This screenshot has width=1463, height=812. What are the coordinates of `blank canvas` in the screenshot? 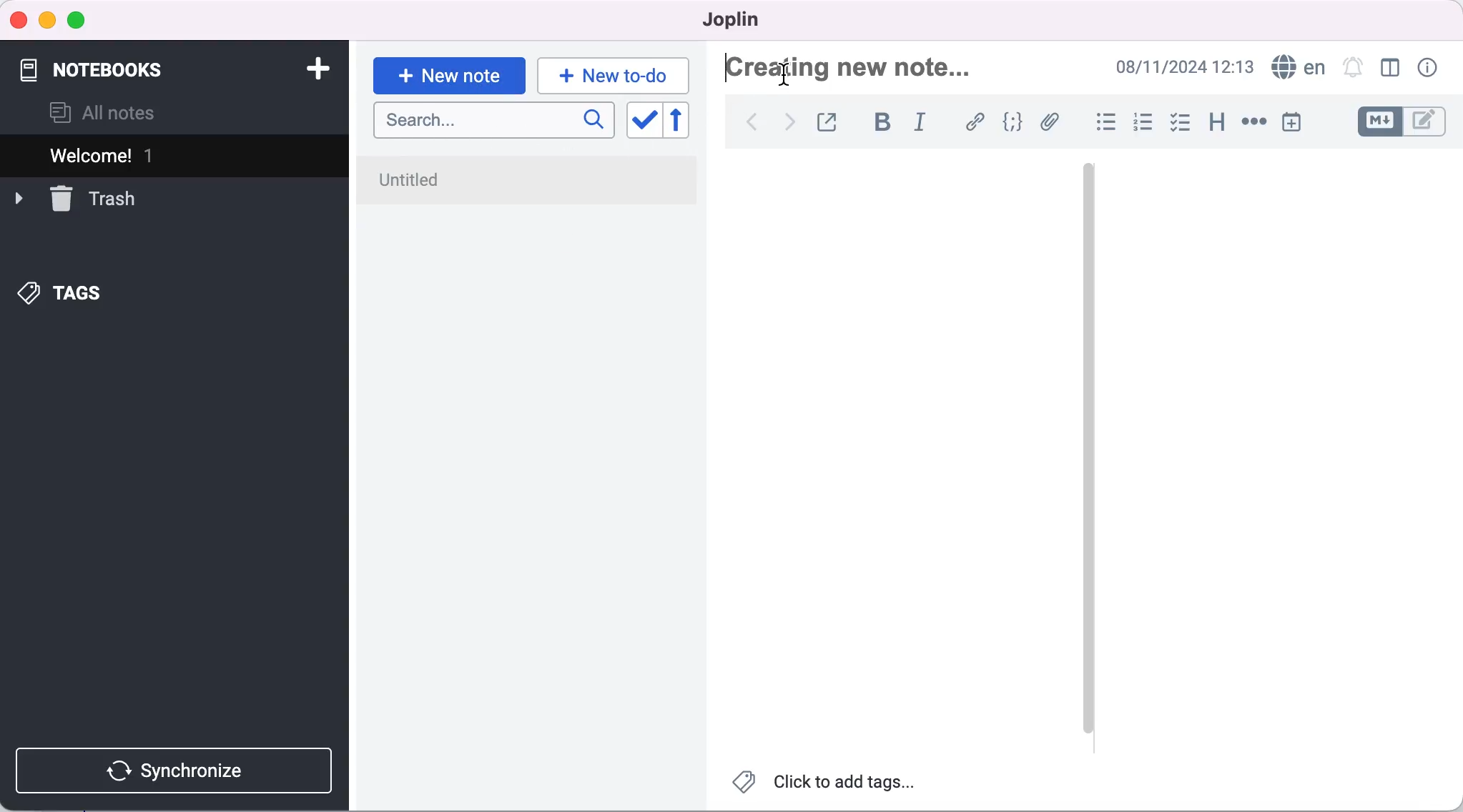 It's located at (1277, 448).